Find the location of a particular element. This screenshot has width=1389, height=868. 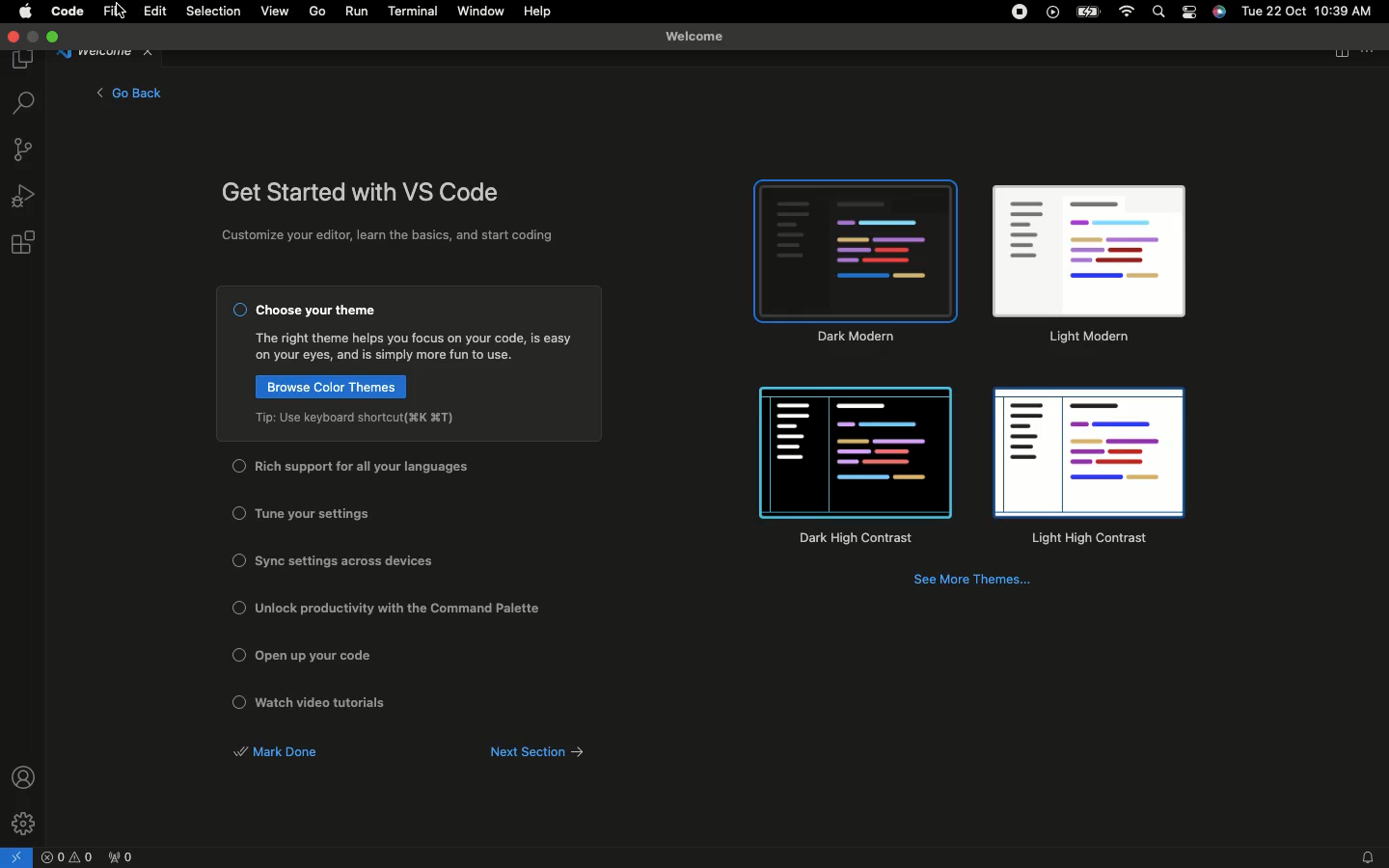

Mark done is located at coordinates (277, 752).